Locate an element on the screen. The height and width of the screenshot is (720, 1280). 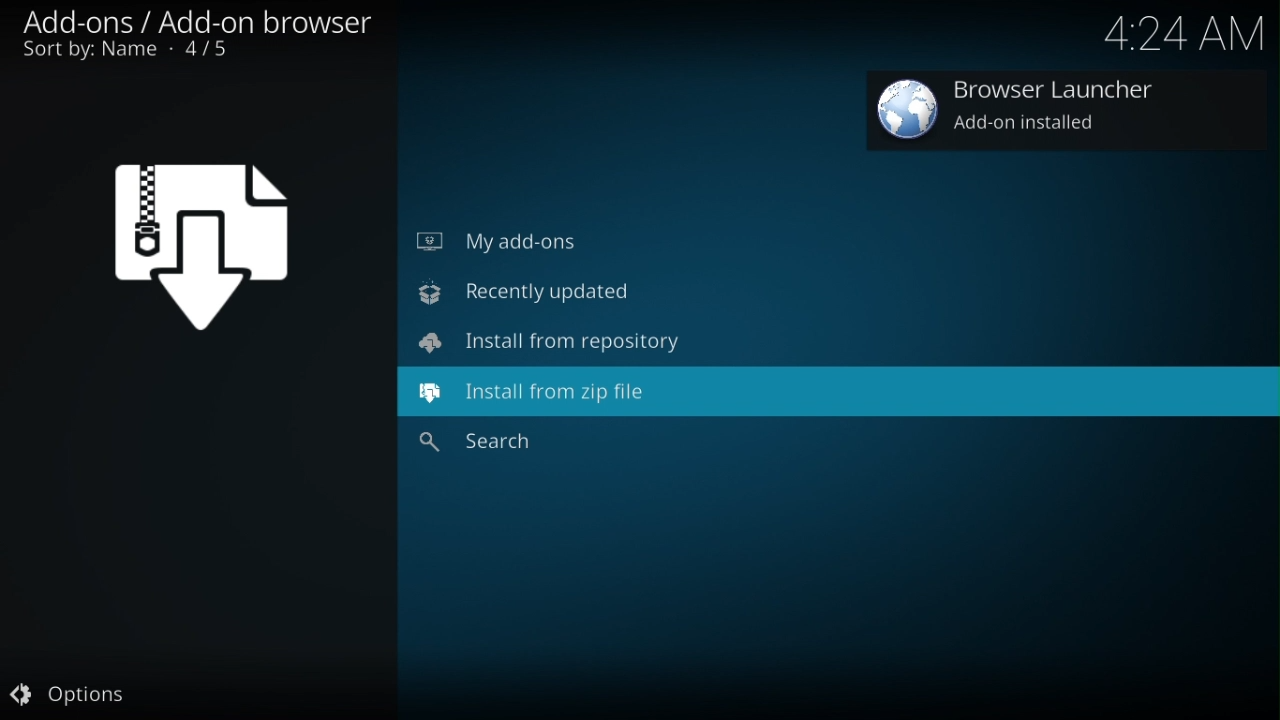
recently updated is located at coordinates (528, 293).